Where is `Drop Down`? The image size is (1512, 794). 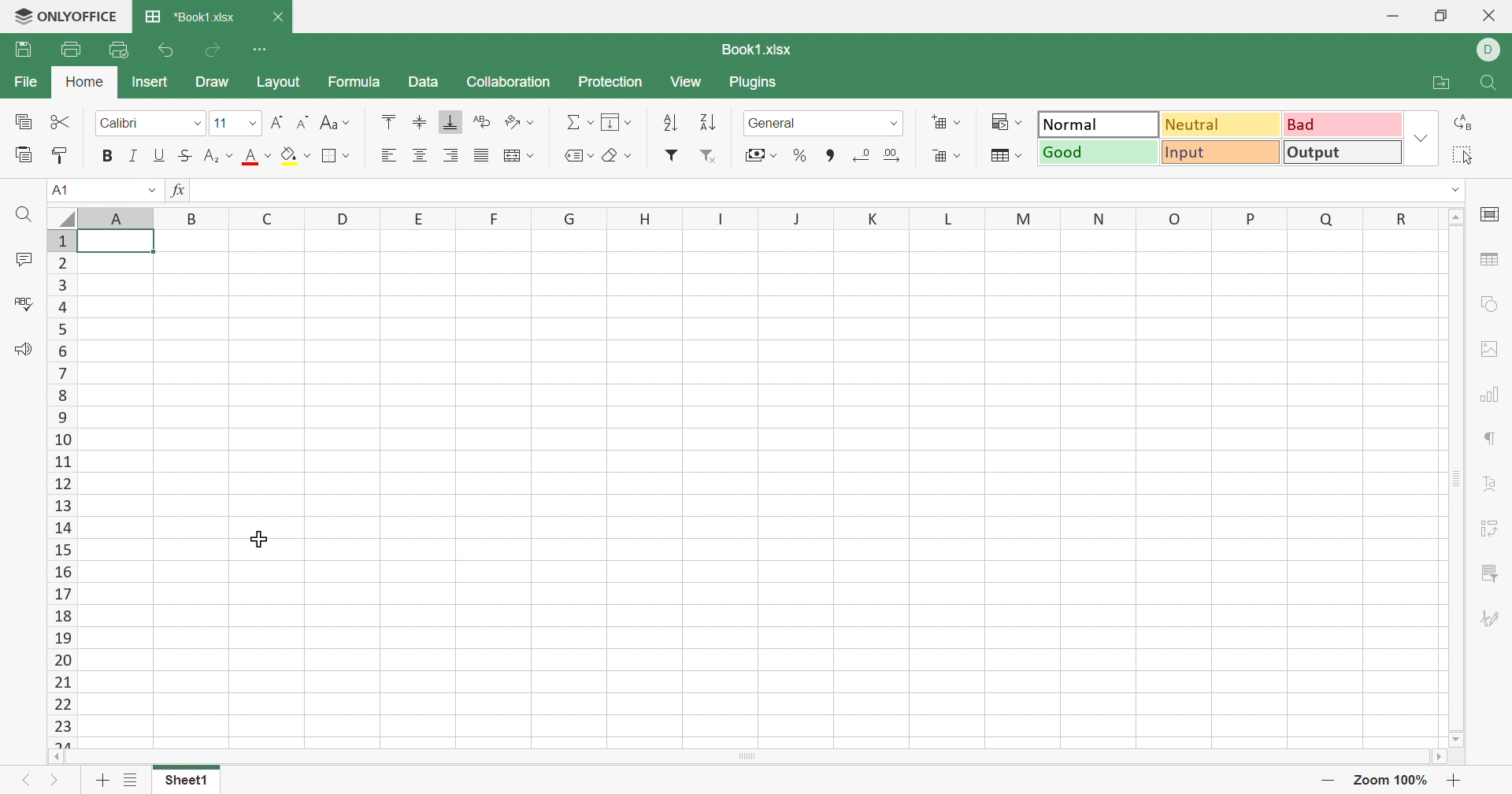 Drop Down is located at coordinates (963, 155).